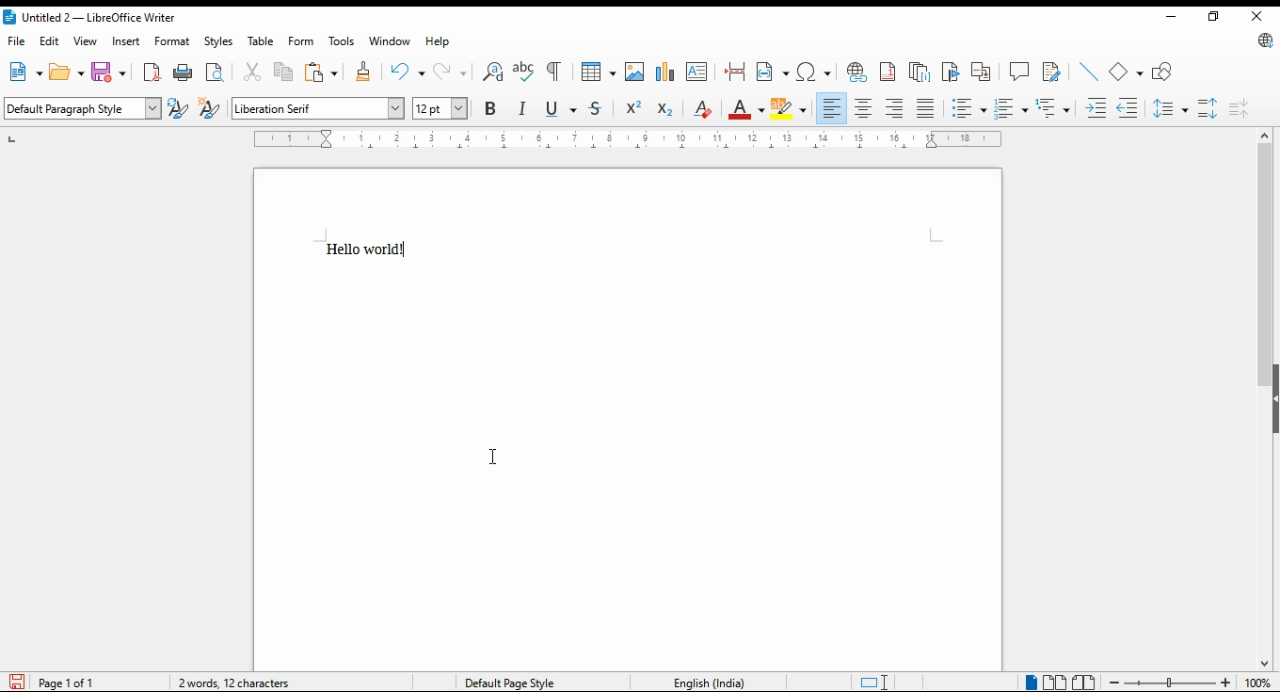 The height and width of the screenshot is (692, 1280). Describe the element at coordinates (736, 71) in the screenshot. I see `insert page break` at that location.